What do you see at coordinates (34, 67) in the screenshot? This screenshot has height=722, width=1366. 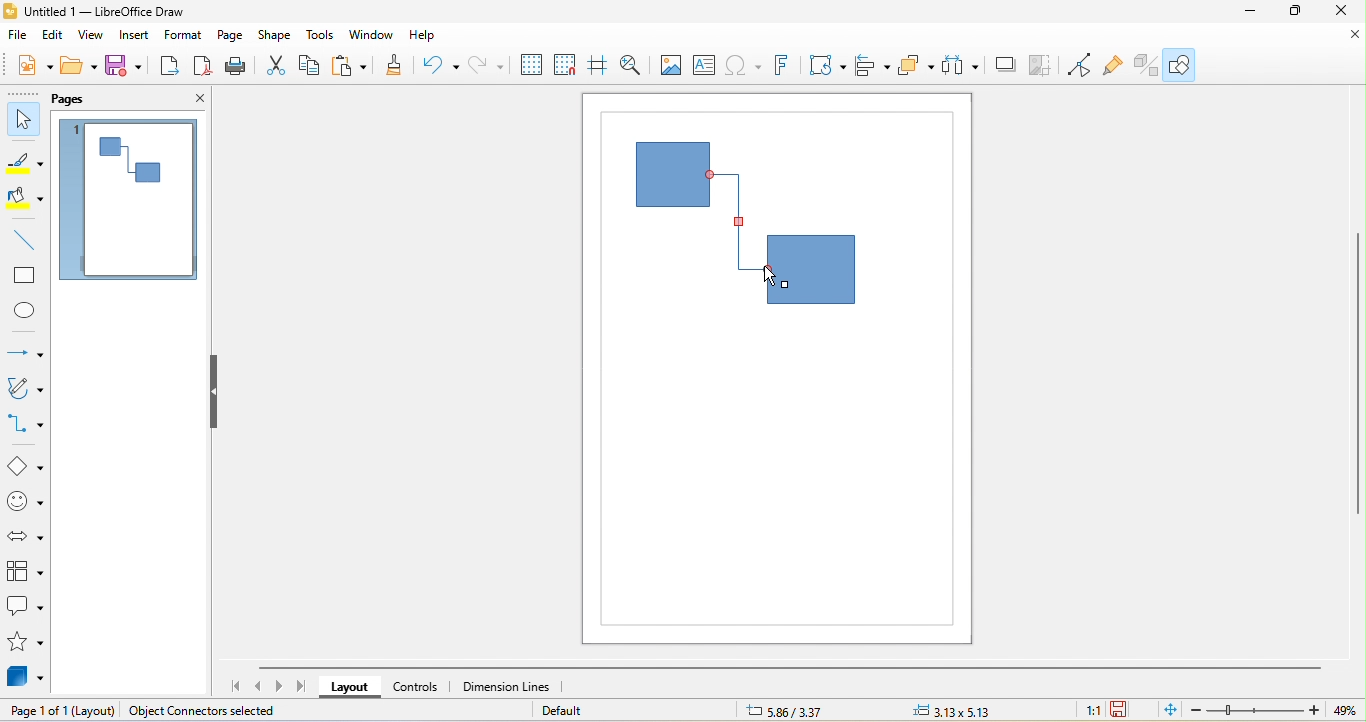 I see `new` at bounding box center [34, 67].